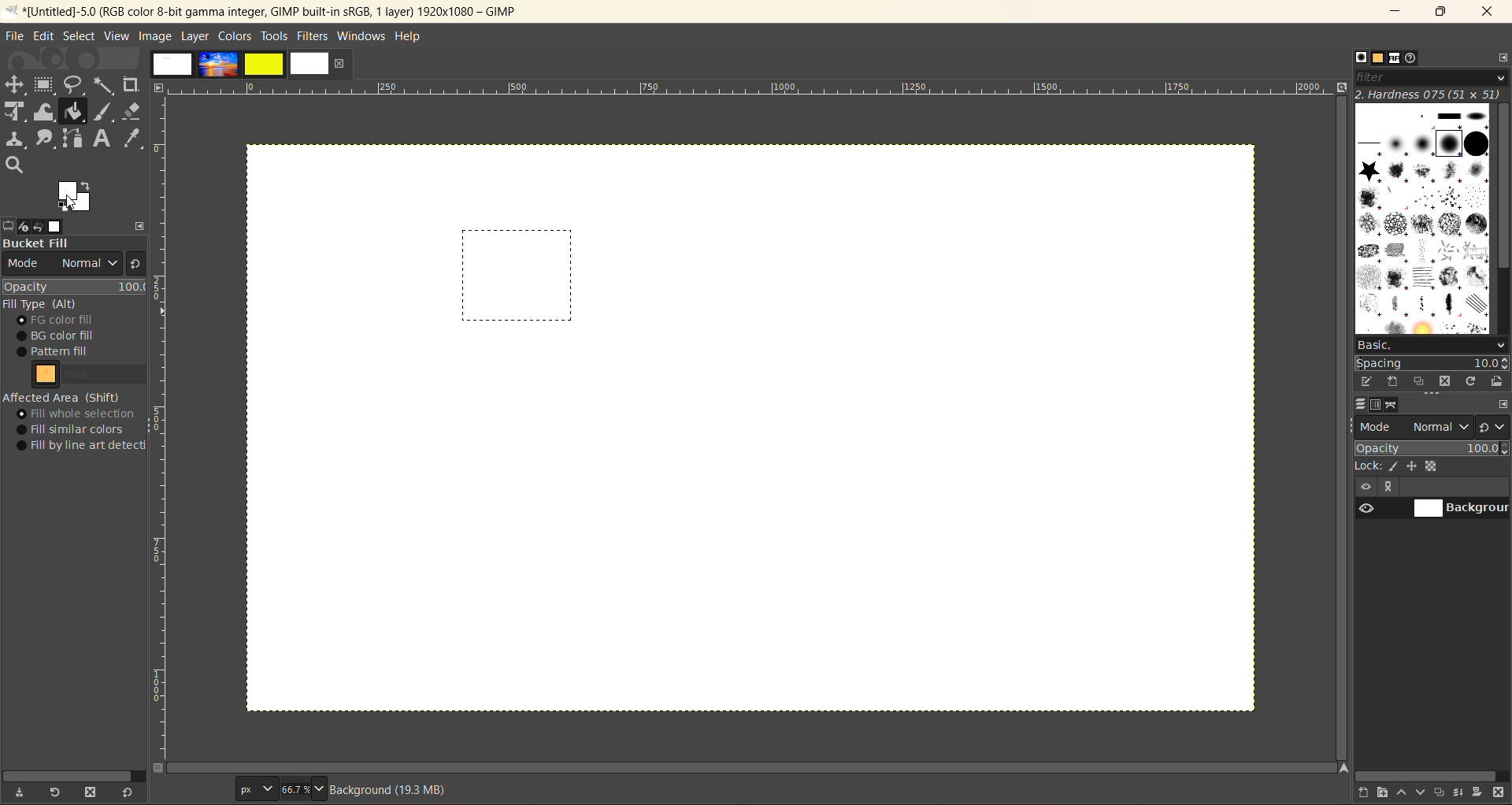 The image size is (1512, 805). I want to click on brushes, so click(1361, 58).